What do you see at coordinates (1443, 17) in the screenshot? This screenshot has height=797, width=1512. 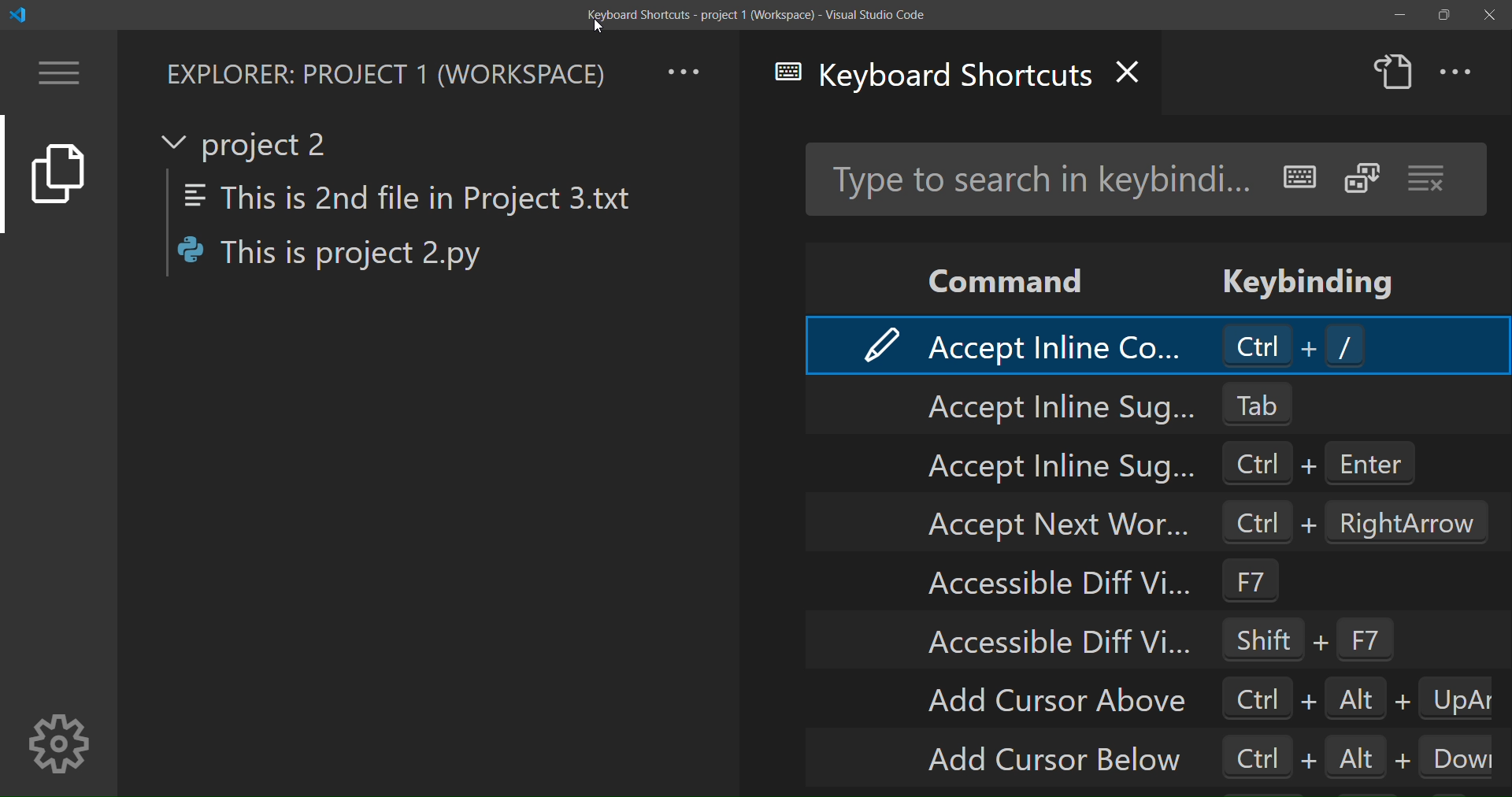 I see `maximize` at bounding box center [1443, 17].